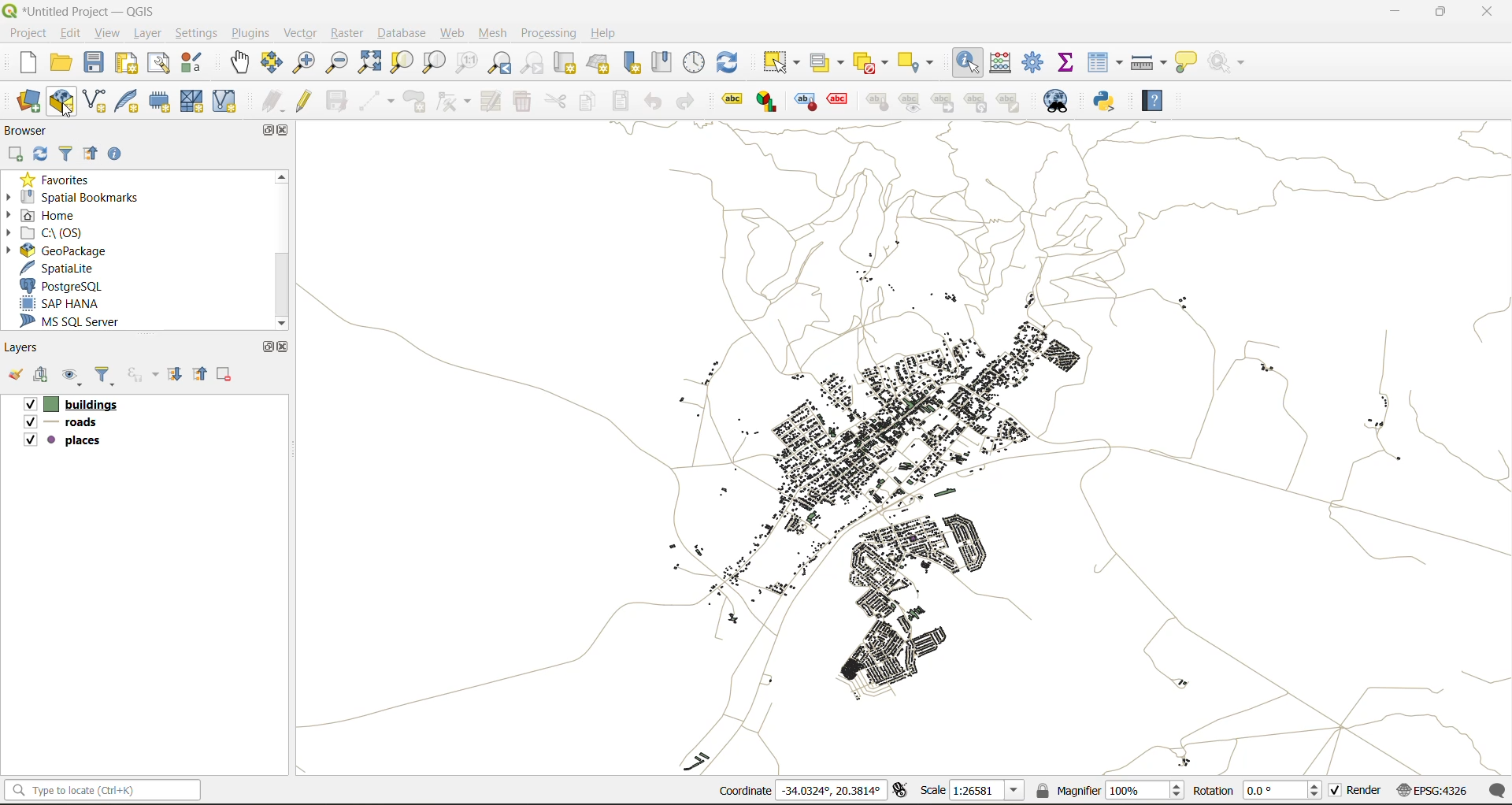  I want to click on favorites, so click(59, 178).